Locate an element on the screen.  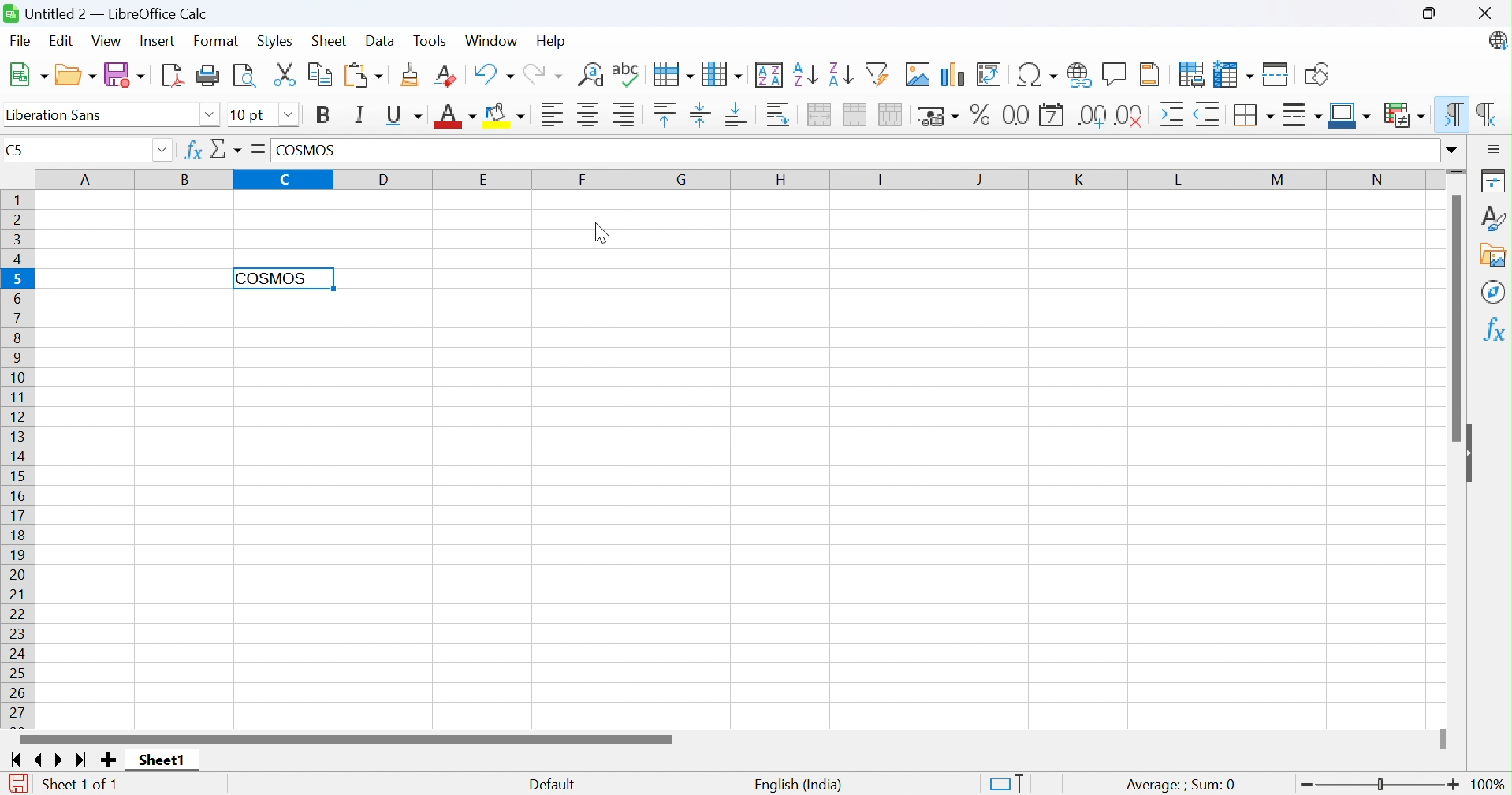
Data is located at coordinates (379, 41).